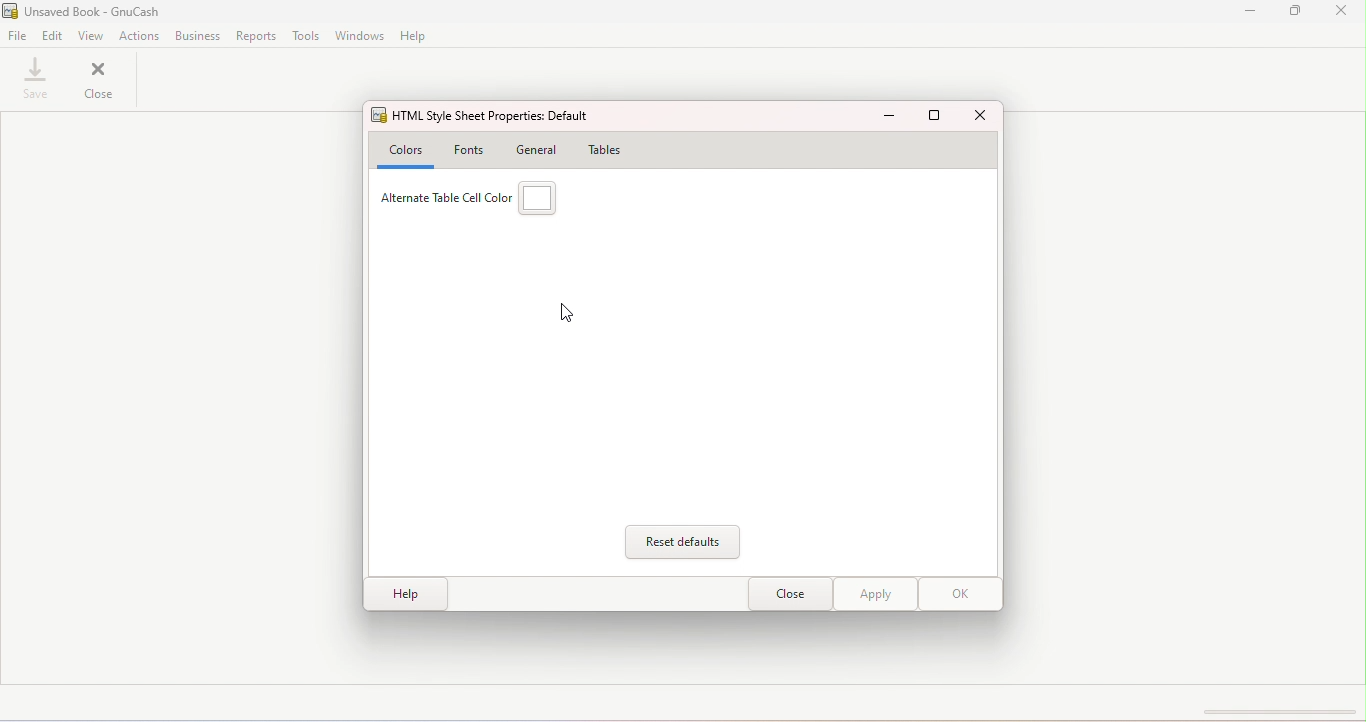  I want to click on Minimize, so click(1254, 12).